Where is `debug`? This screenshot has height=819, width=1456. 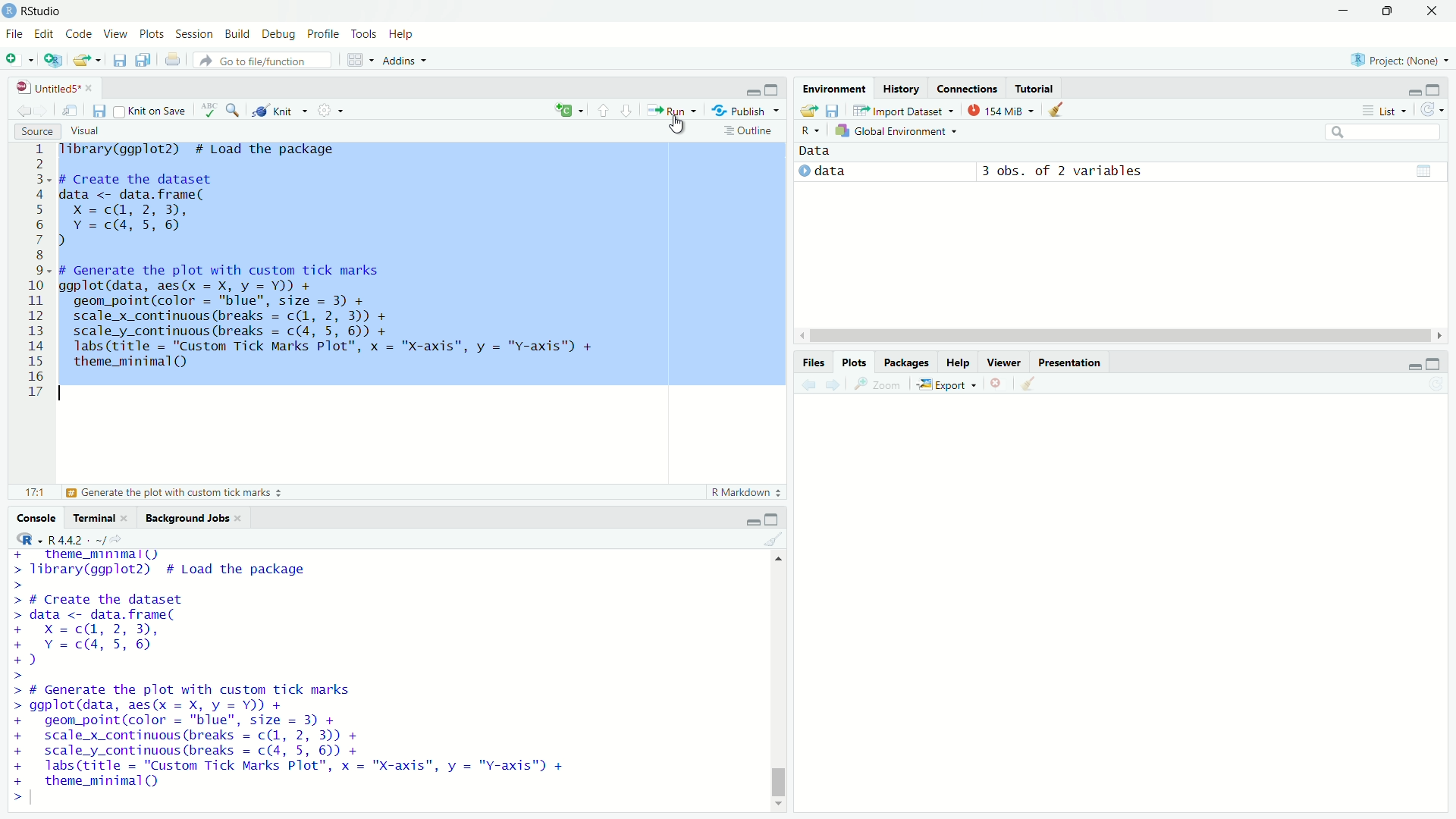
debug is located at coordinates (280, 34).